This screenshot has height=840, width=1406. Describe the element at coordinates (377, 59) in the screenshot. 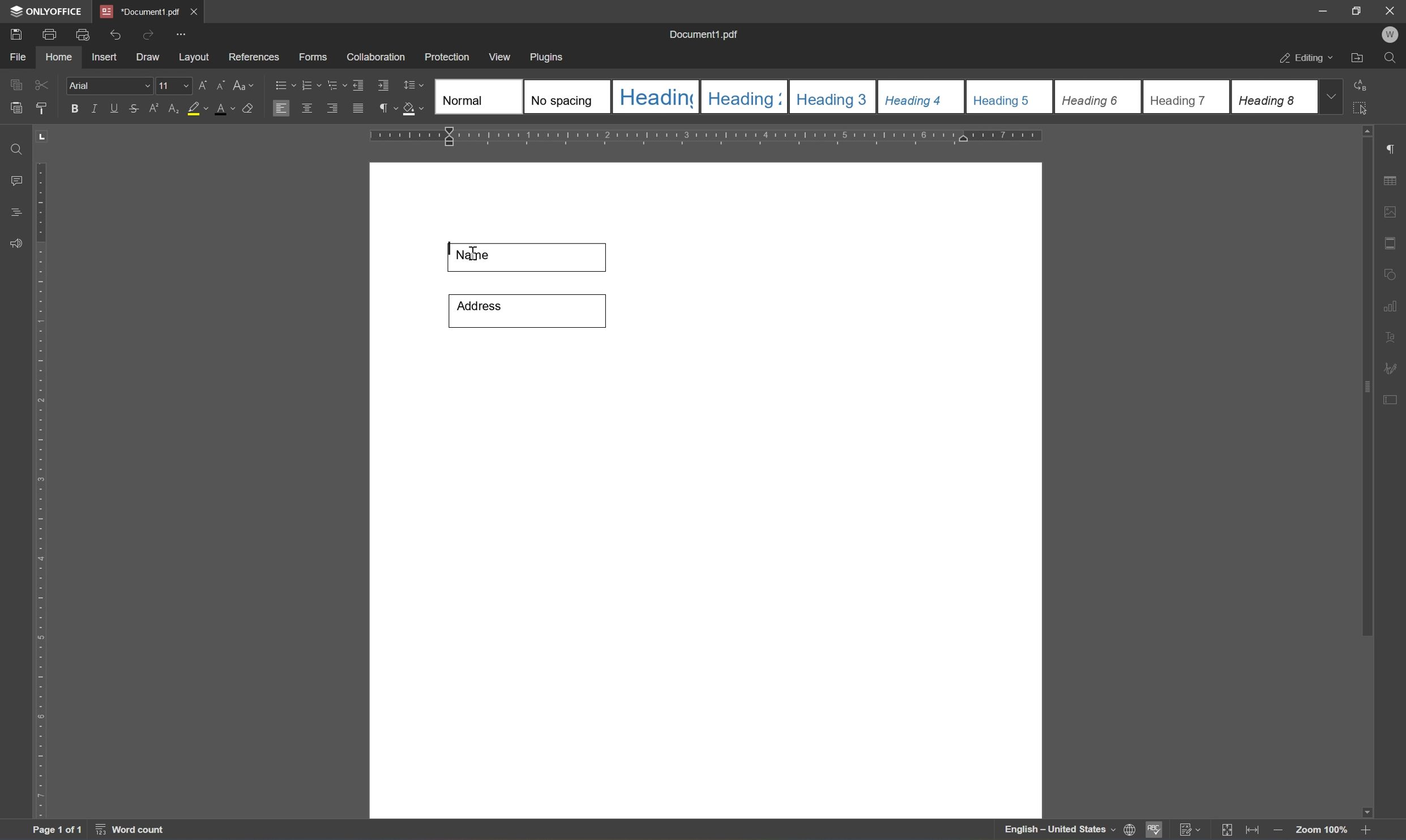

I see `collaboration` at that location.